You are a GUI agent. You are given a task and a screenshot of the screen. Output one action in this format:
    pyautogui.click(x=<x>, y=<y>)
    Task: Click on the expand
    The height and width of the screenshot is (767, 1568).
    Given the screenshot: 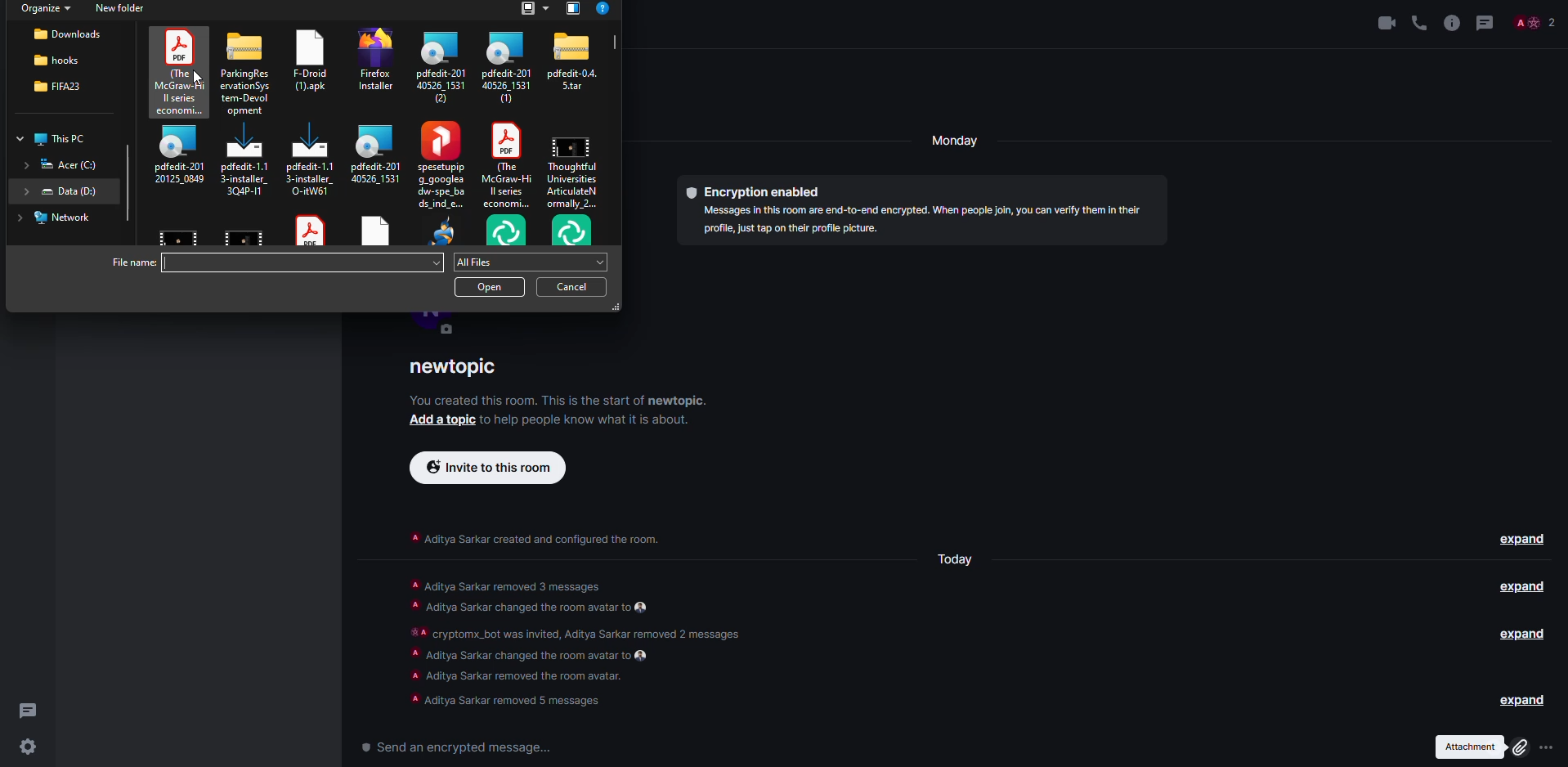 What is the action you would take?
    pyautogui.click(x=1521, y=635)
    